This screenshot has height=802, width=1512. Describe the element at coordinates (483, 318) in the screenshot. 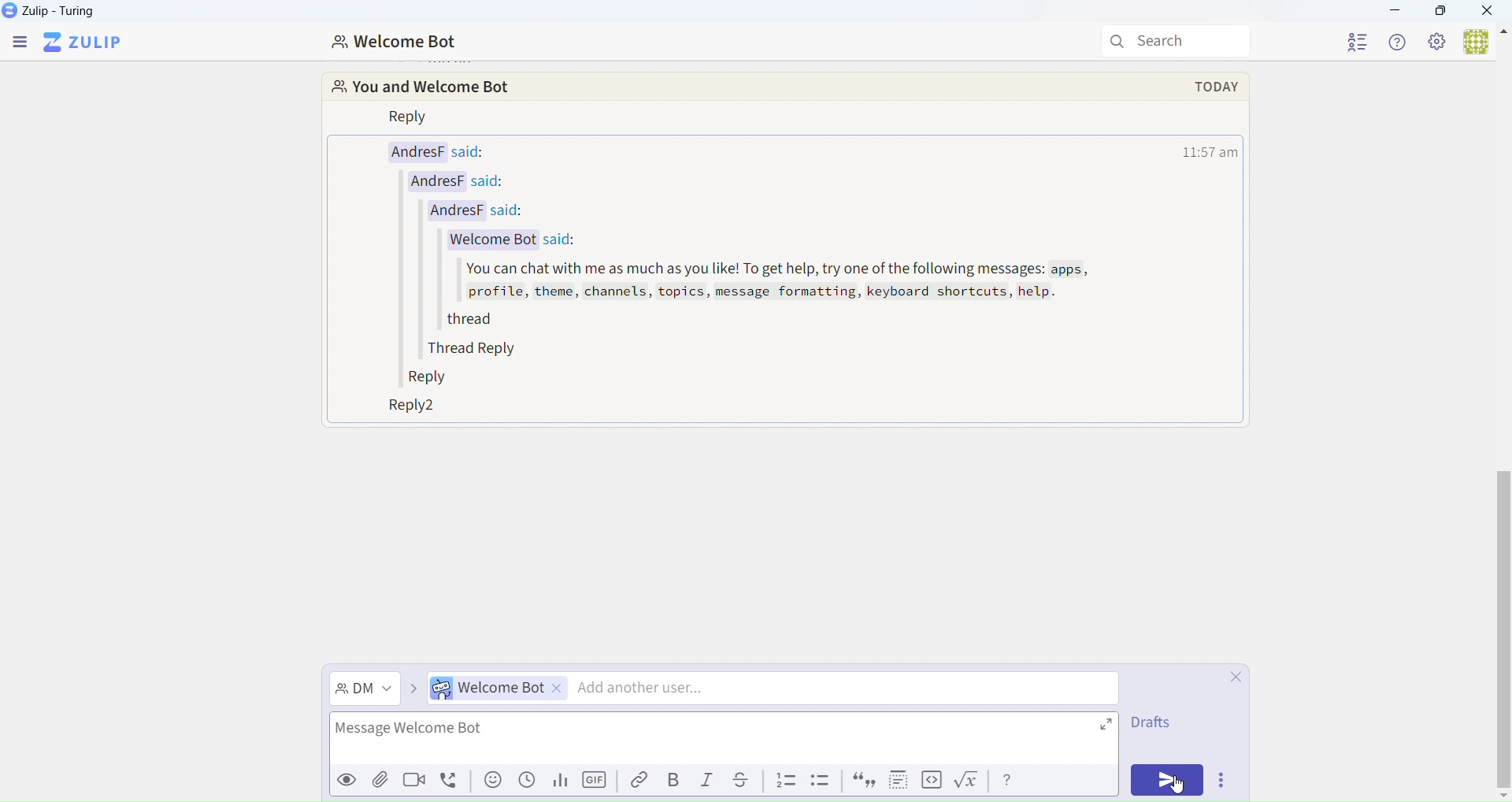

I see `thread` at that location.